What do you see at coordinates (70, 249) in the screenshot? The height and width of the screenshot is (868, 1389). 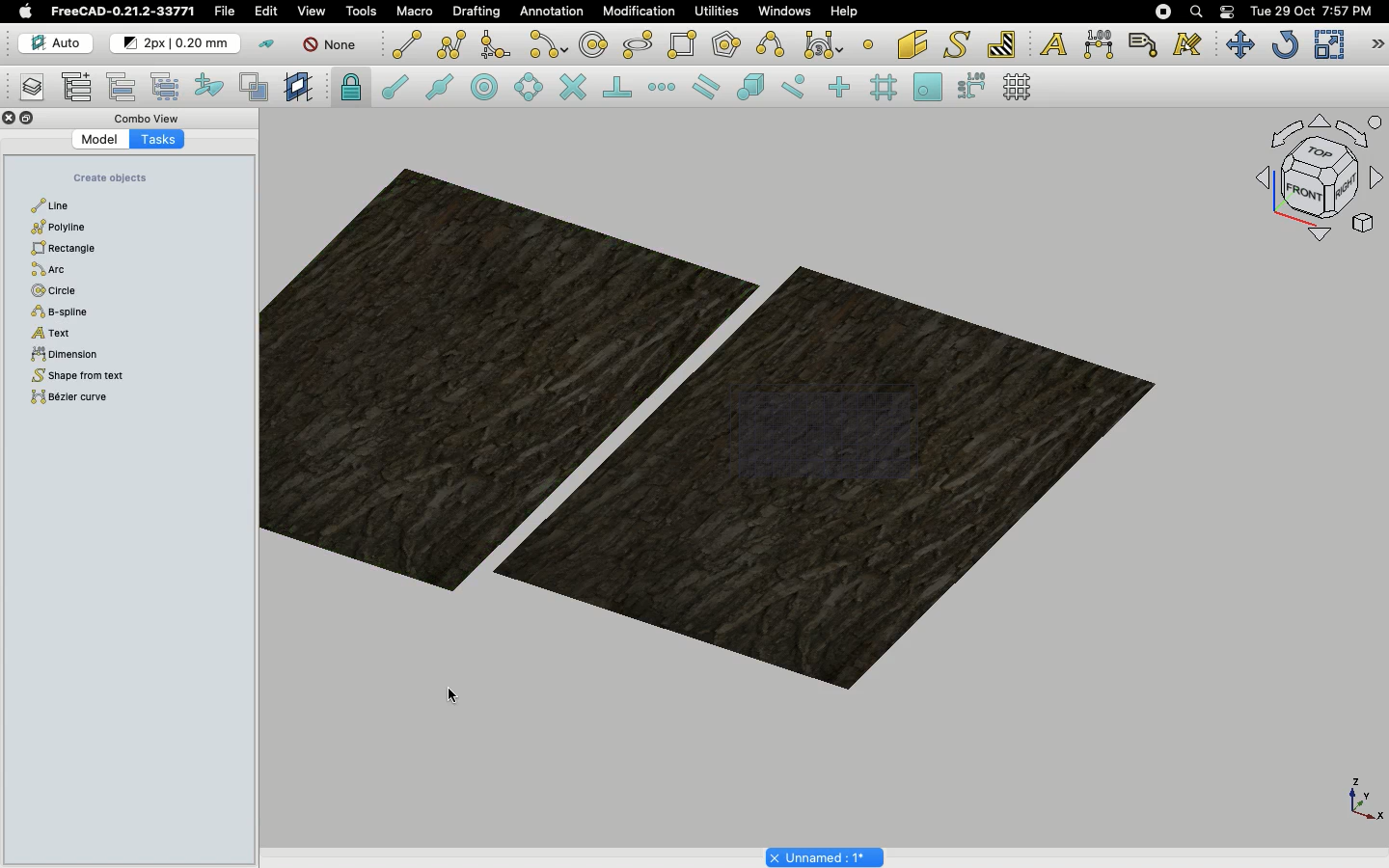 I see `Rectangle` at bounding box center [70, 249].